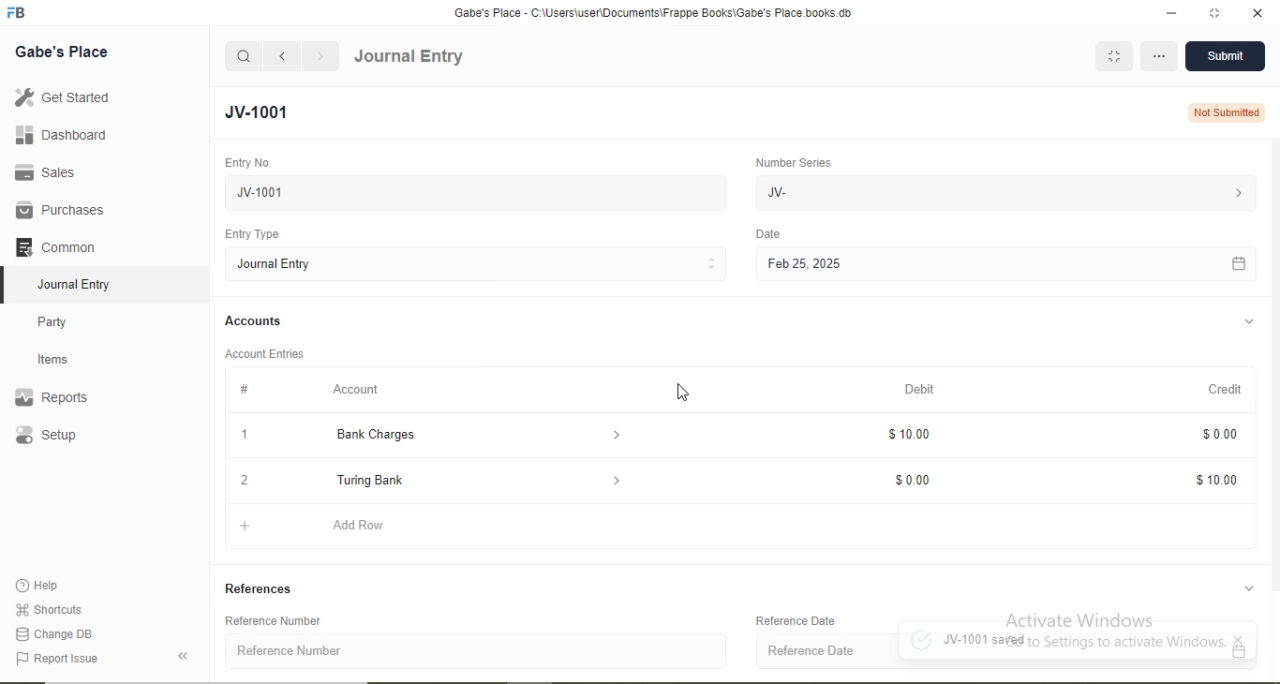 The width and height of the screenshot is (1280, 684). Describe the element at coordinates (1219, 388) in the screenshot. I see `Credit` at that location.